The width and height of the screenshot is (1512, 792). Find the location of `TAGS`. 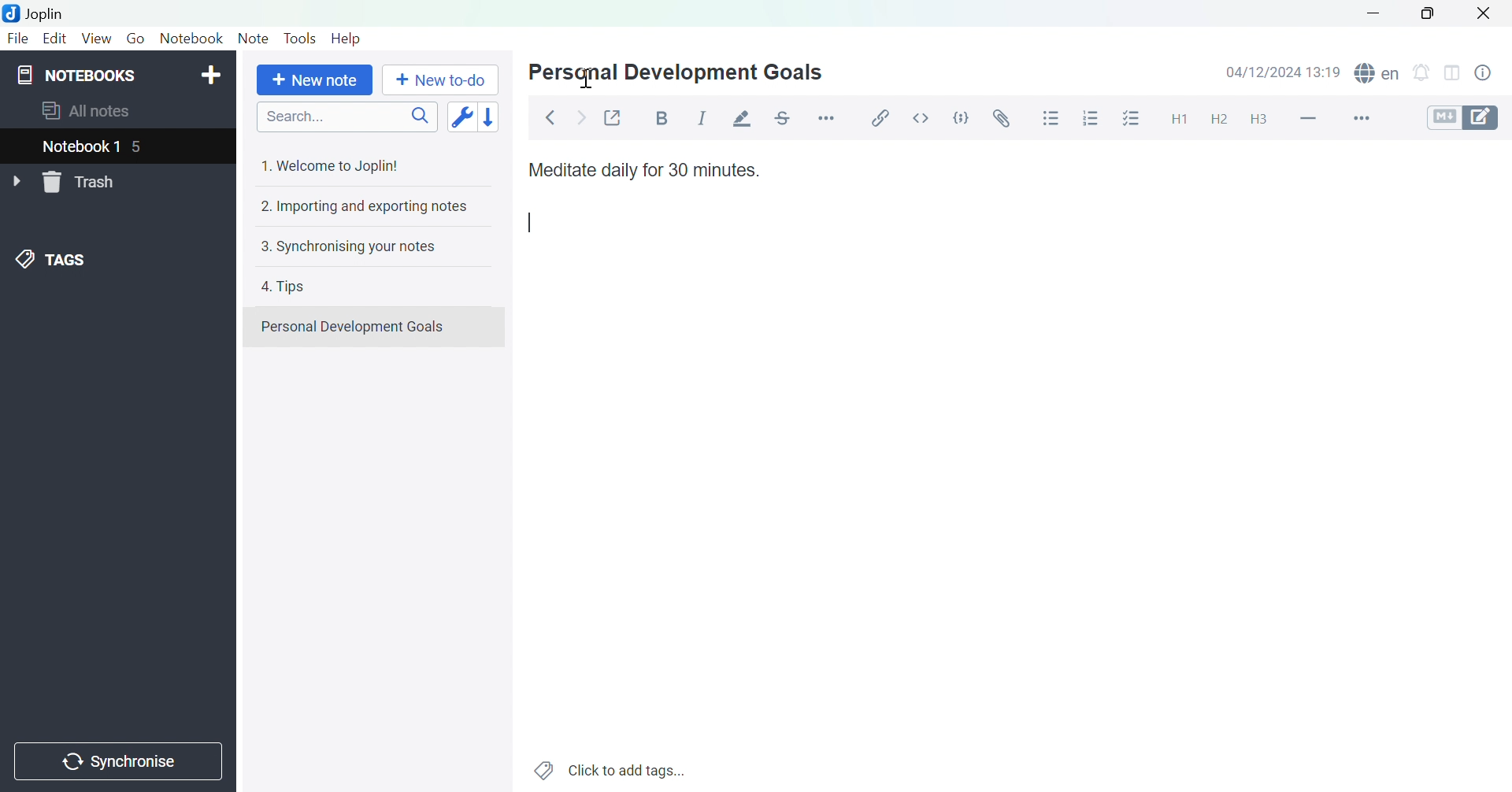

TAGS is located at coordinates (54, 258).